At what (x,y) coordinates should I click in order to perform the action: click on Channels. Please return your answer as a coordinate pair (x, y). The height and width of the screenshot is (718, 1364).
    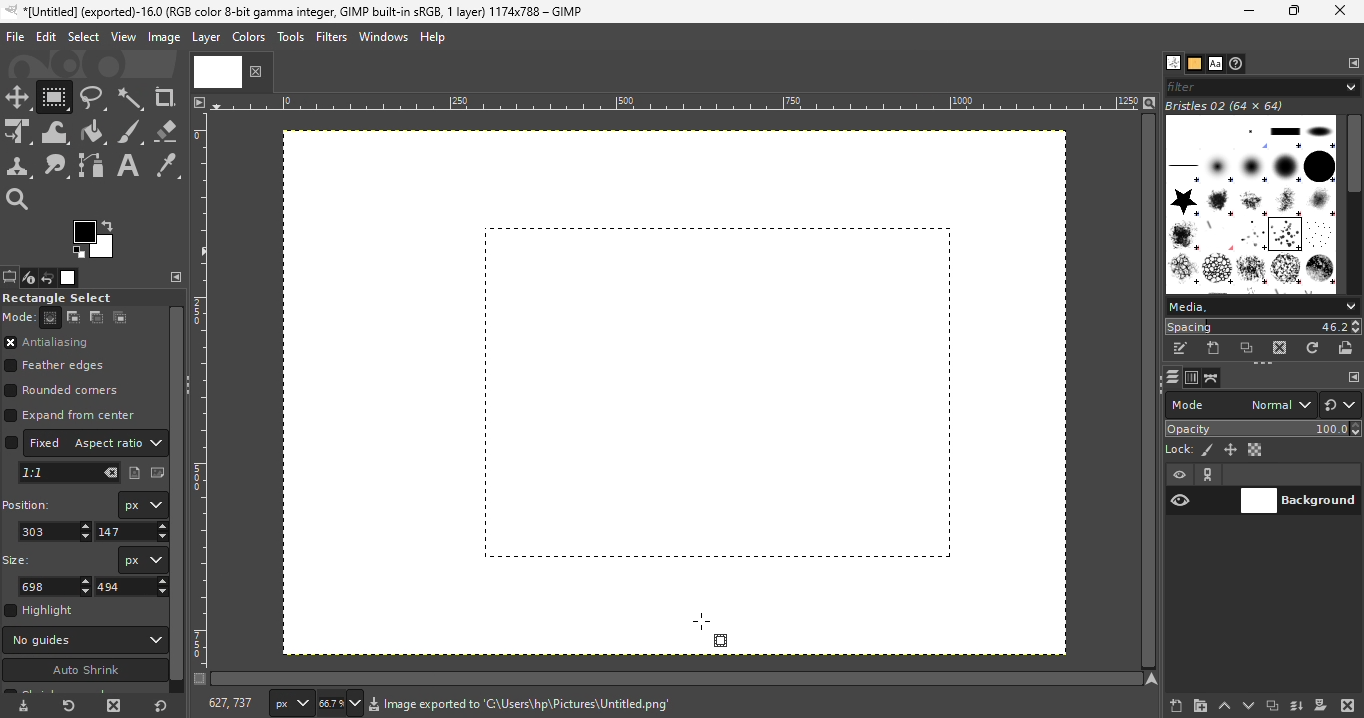
    Looking at the image, I should click on (1192, 378).